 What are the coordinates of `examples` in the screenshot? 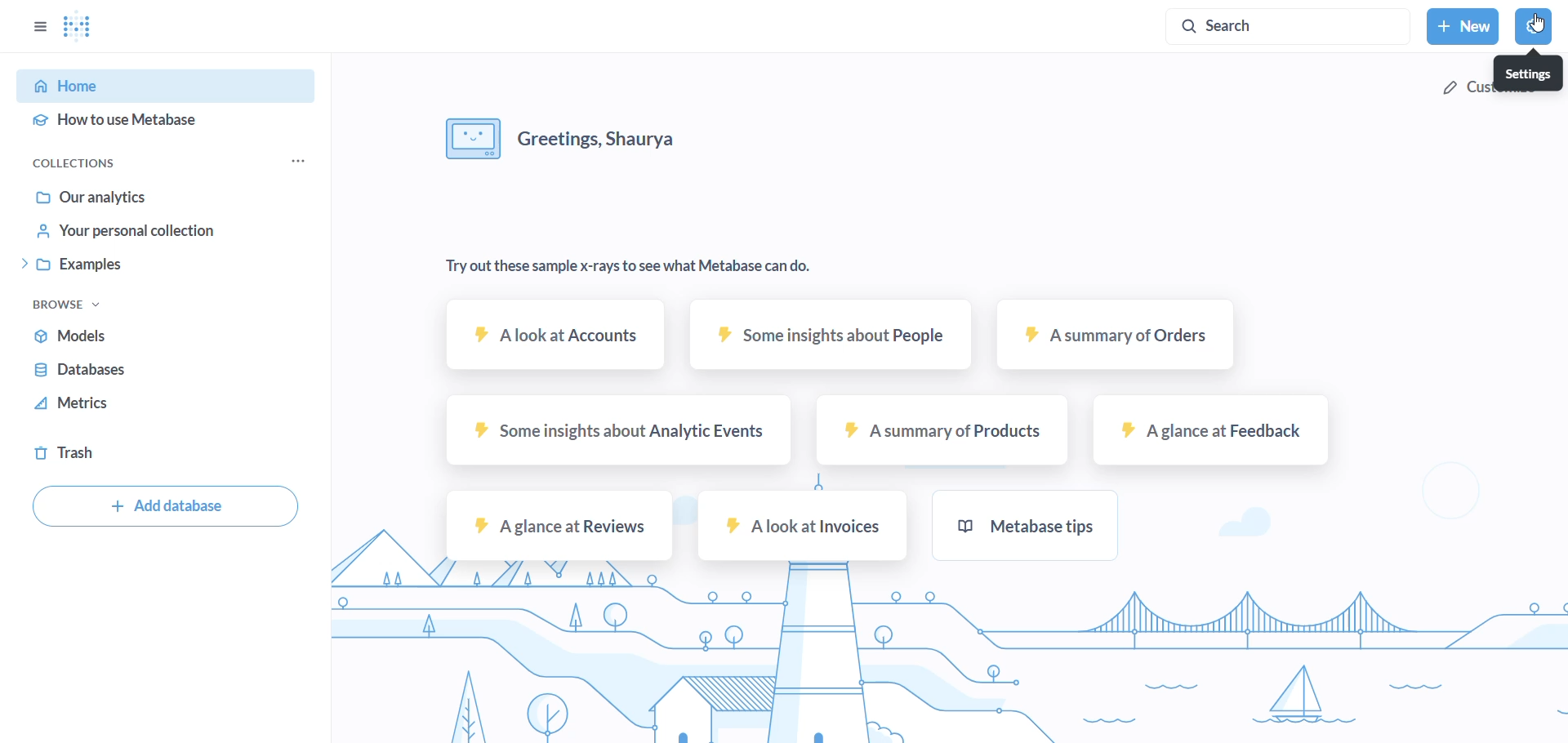 It's located at (126, 269).